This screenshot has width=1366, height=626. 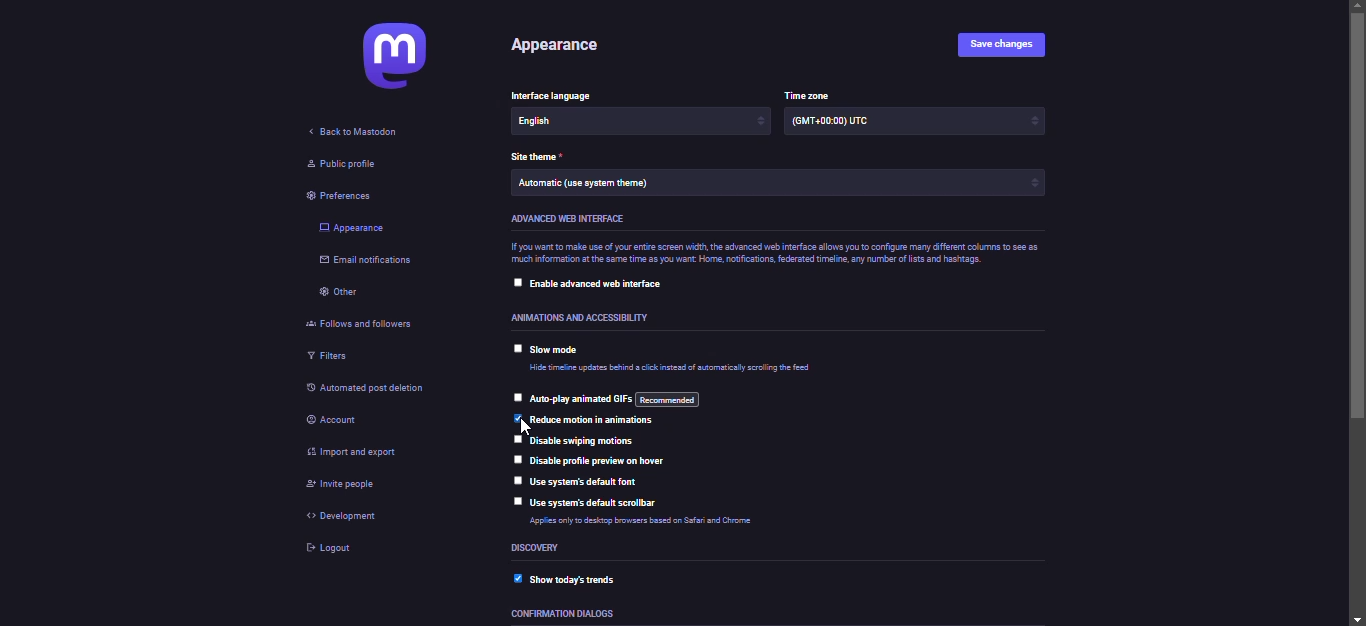 I want to click on save changes, so click(x=1008, y=45).